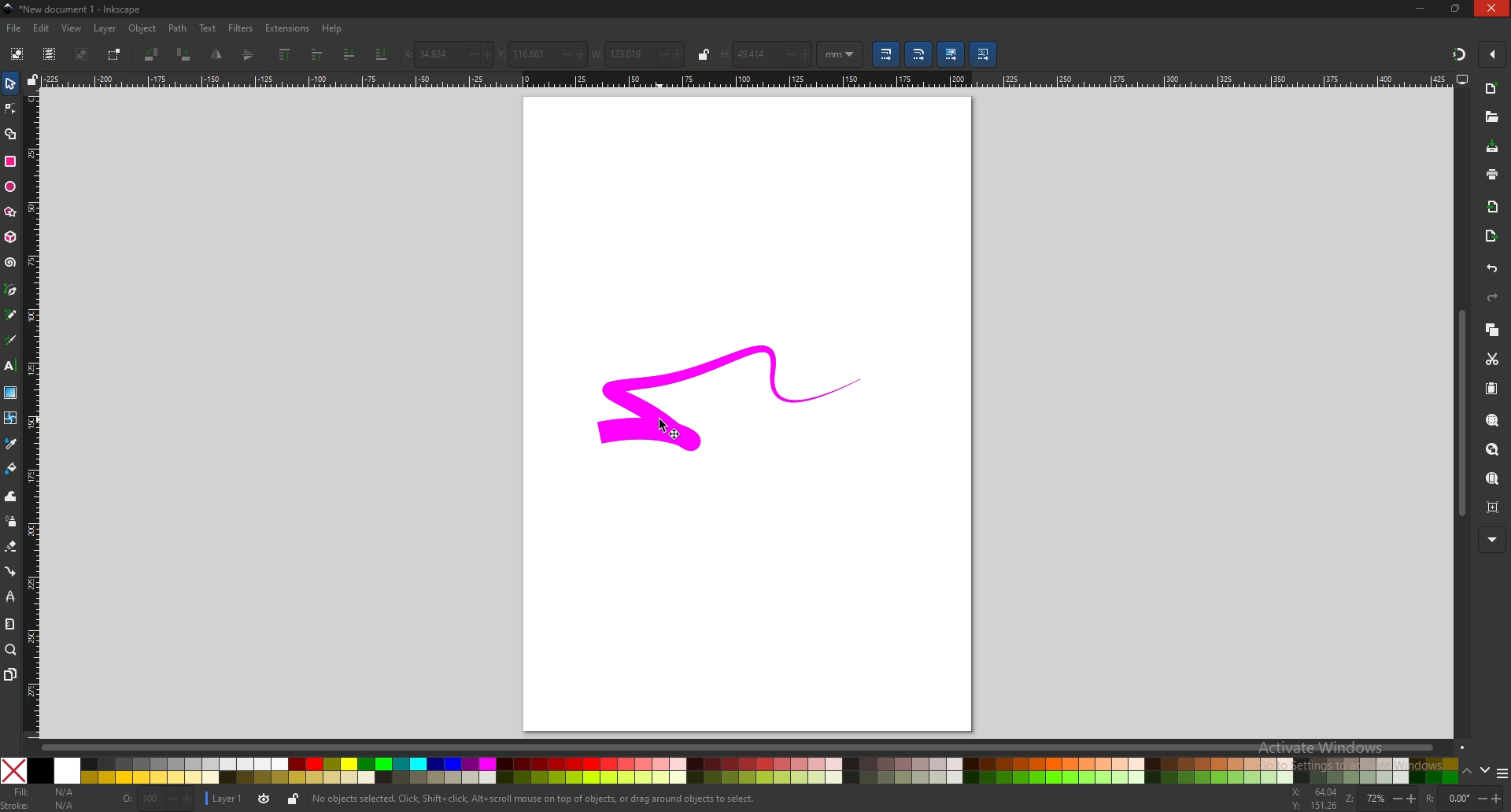 Image resolution: width=1511 pixels, height=812 pixels. What do you see at coordinates (1492, 330) in the screenshot?
I see `copy` at bounding box center [1492, 330].